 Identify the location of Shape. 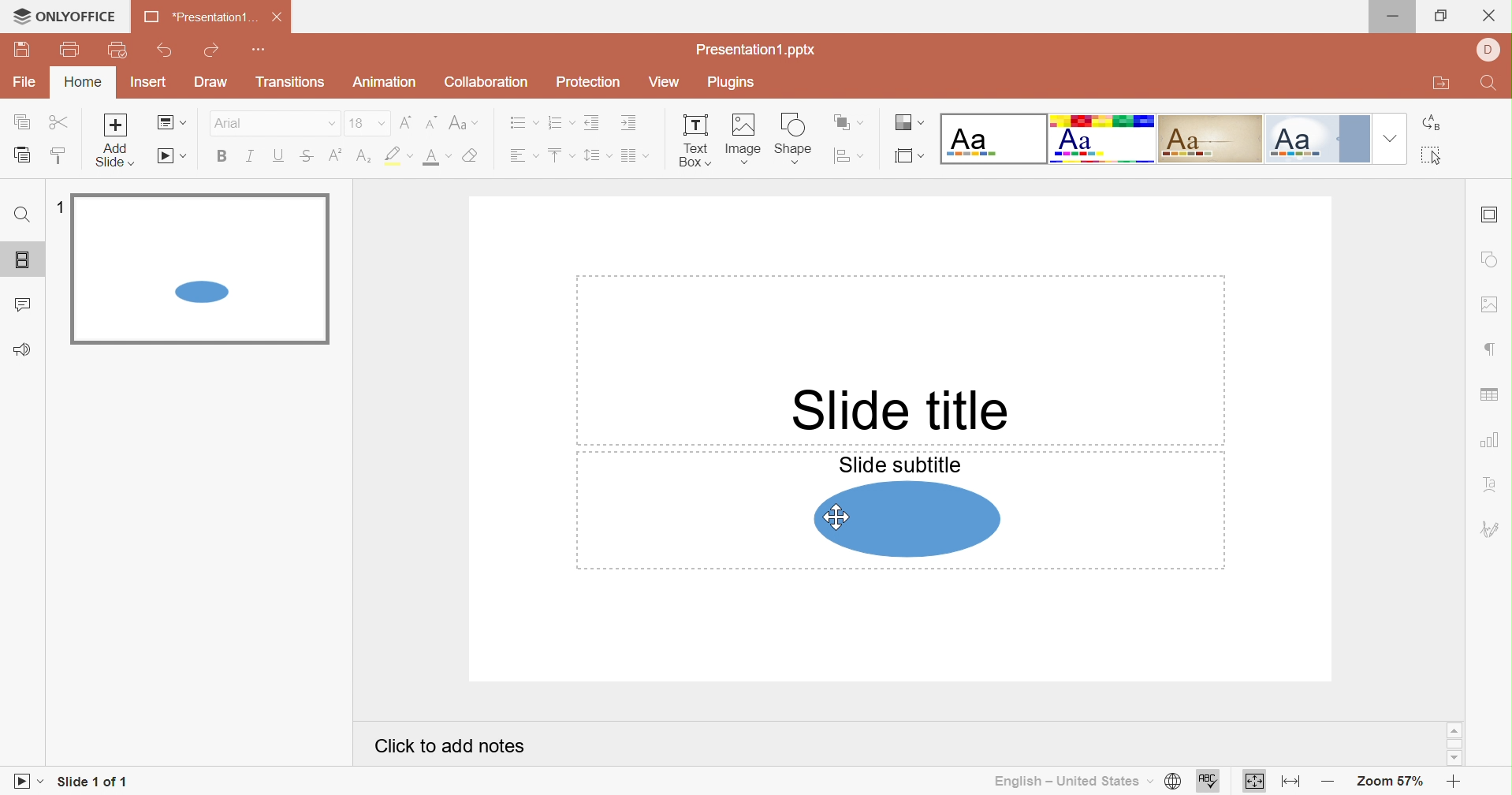
(907, 520).